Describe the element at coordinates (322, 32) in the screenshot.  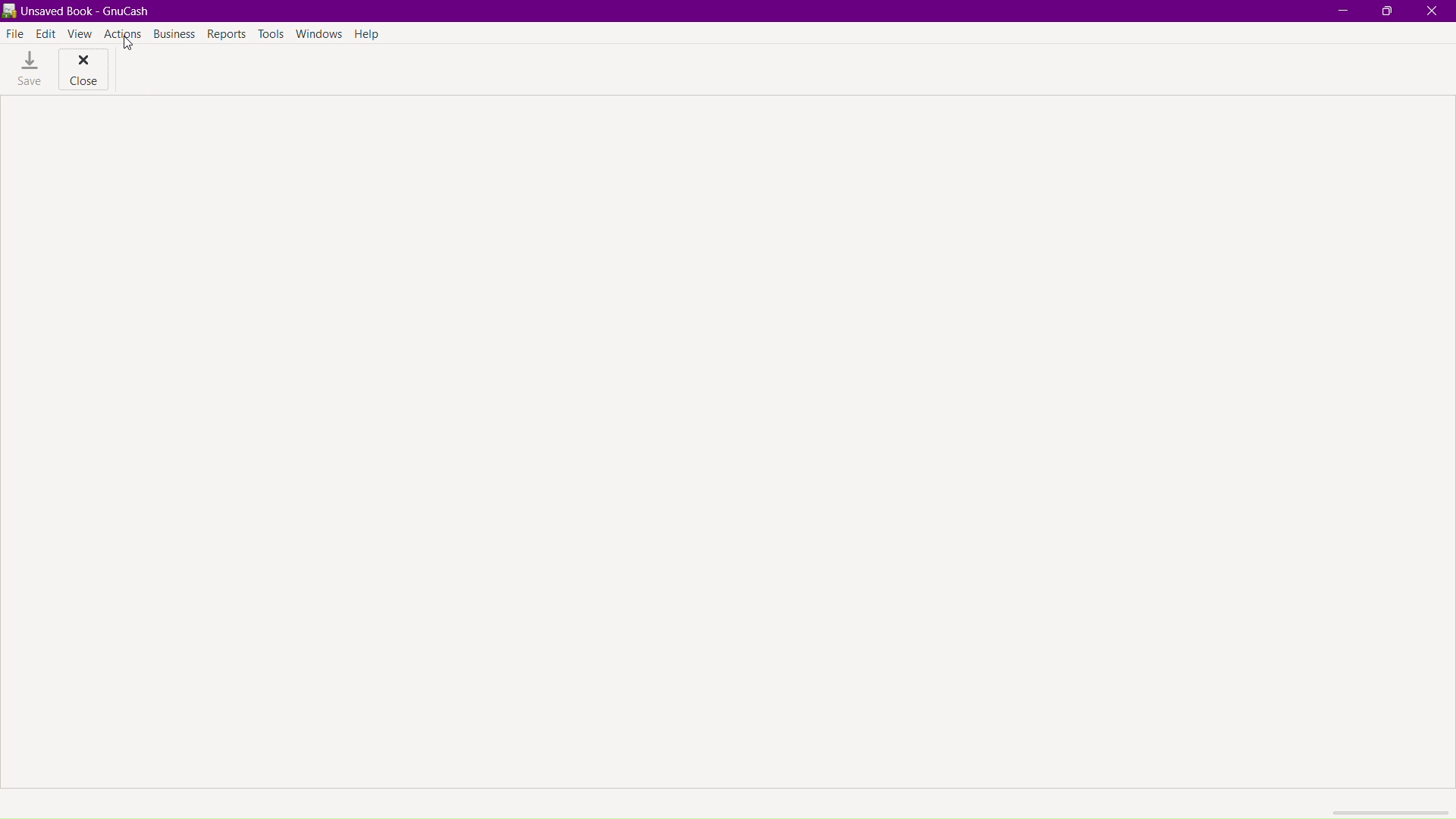
I see `Windows` at that location.